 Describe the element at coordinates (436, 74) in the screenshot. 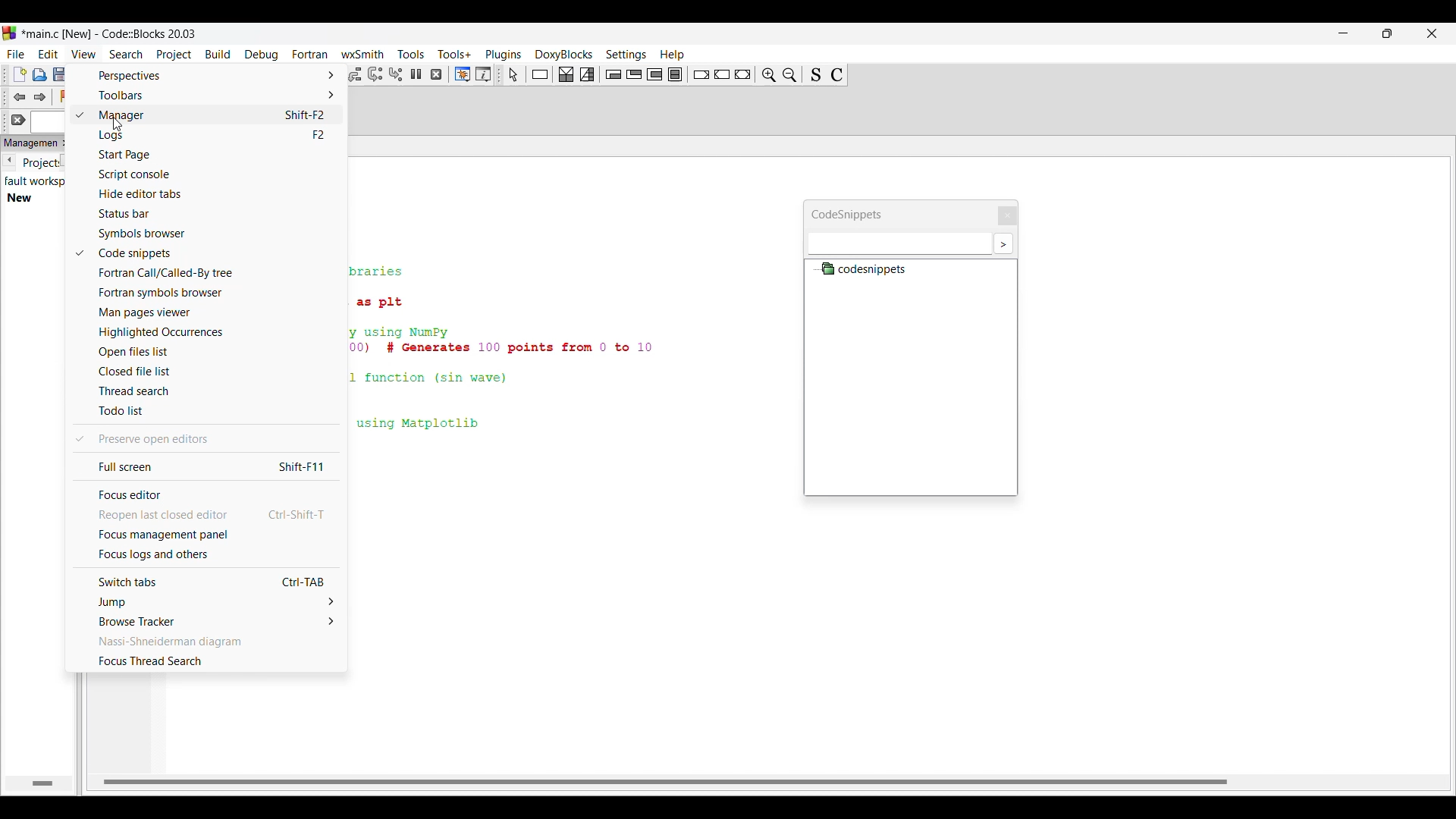

I see `Stop debugger` at that location.